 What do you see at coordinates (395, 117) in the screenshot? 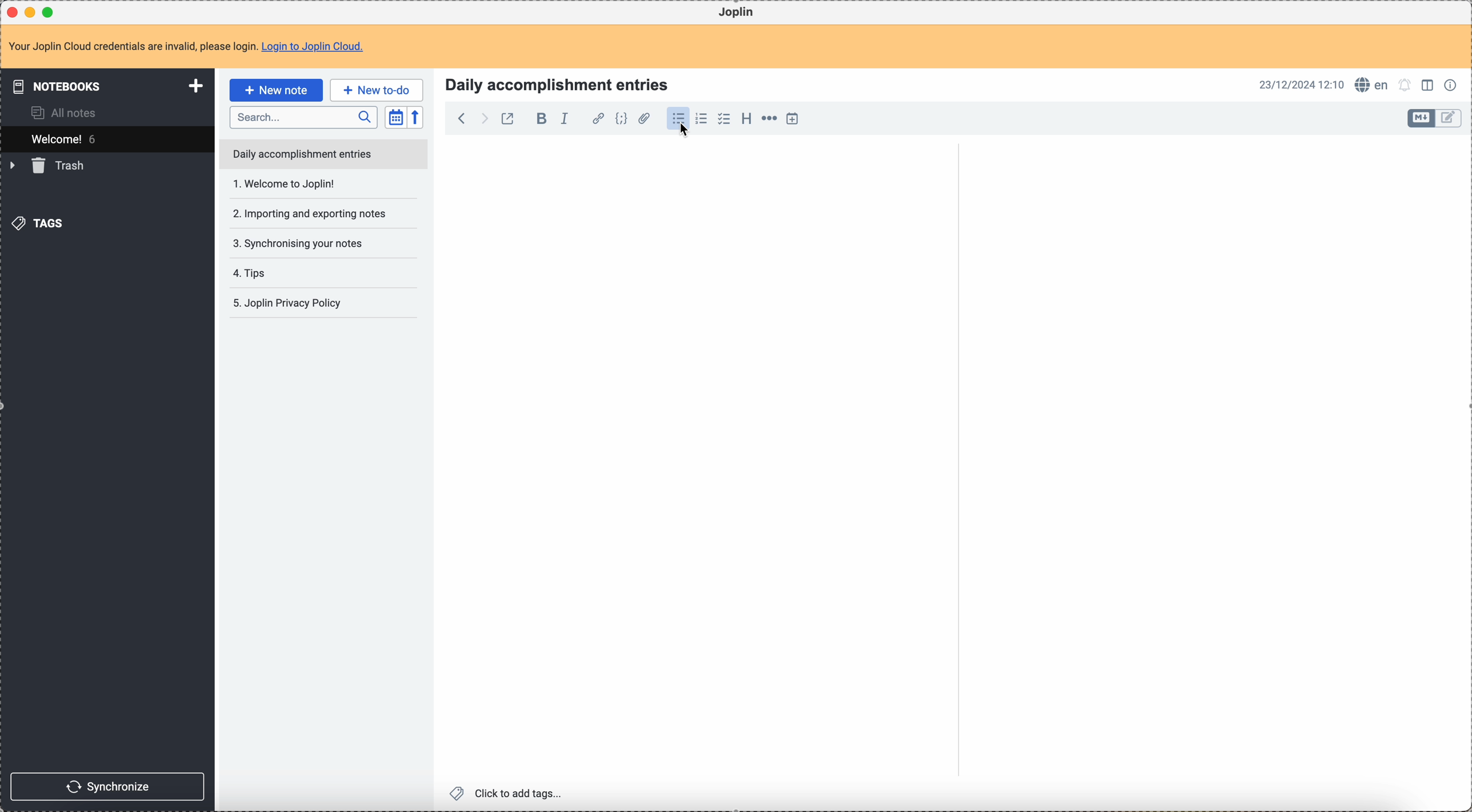
I see `toggle sort order field` at bounding box center [395, 117].